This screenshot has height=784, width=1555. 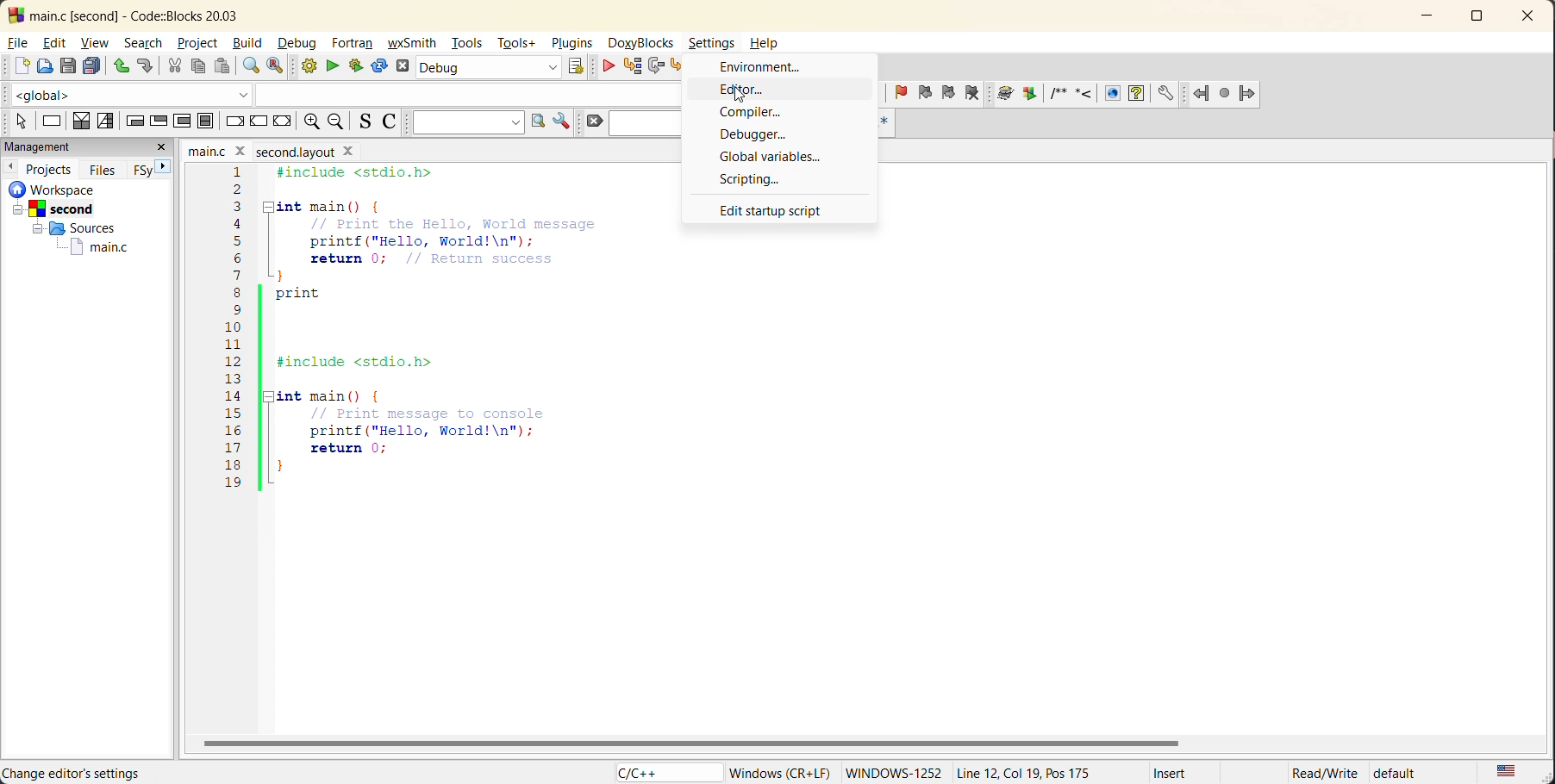 I want to click on horizontal scroll bar, so click(x=690, y=742).